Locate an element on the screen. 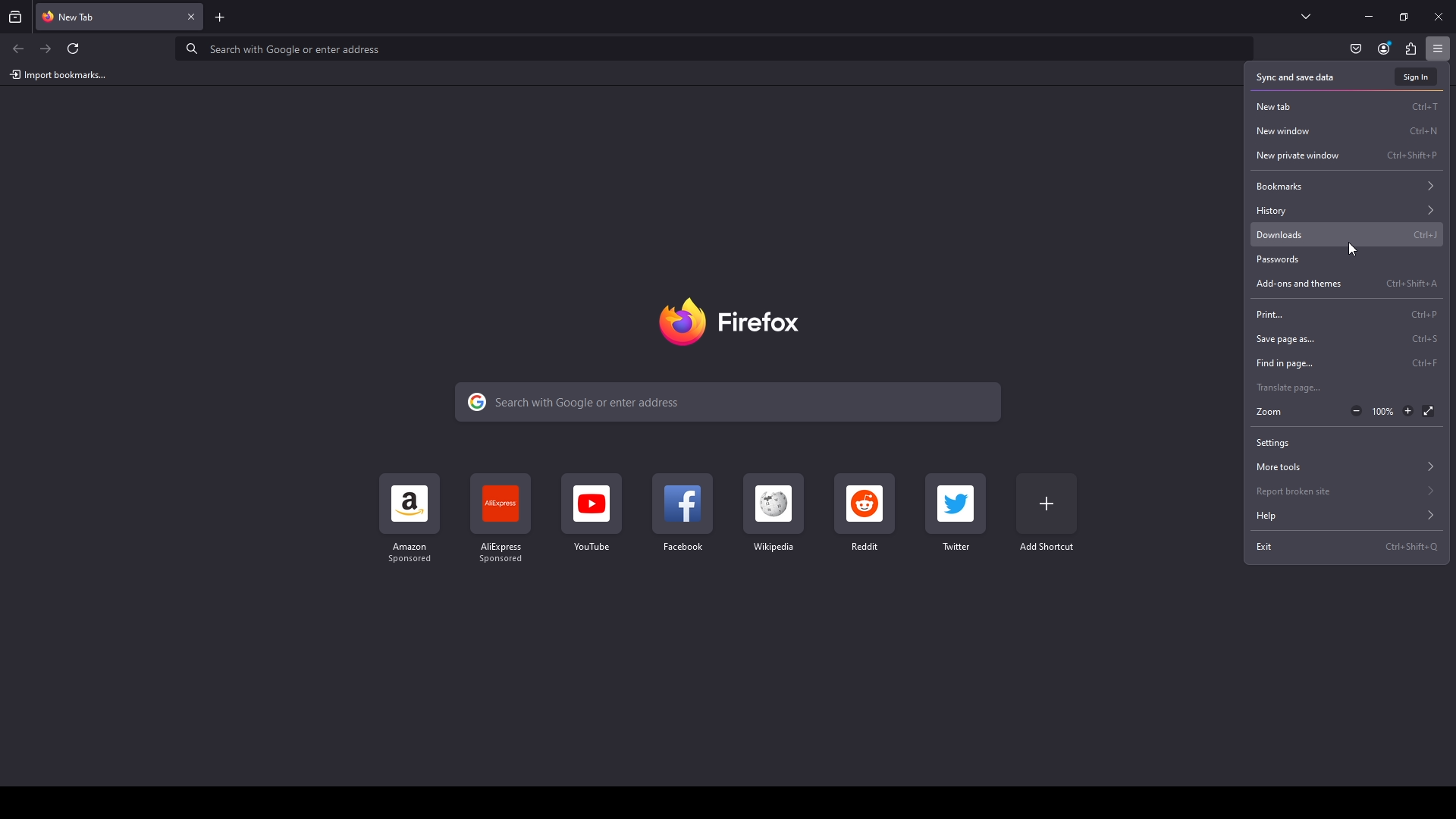 The height and width of the screenshot is (819, 1456). Downloads is located at coordinates (1348, 234).